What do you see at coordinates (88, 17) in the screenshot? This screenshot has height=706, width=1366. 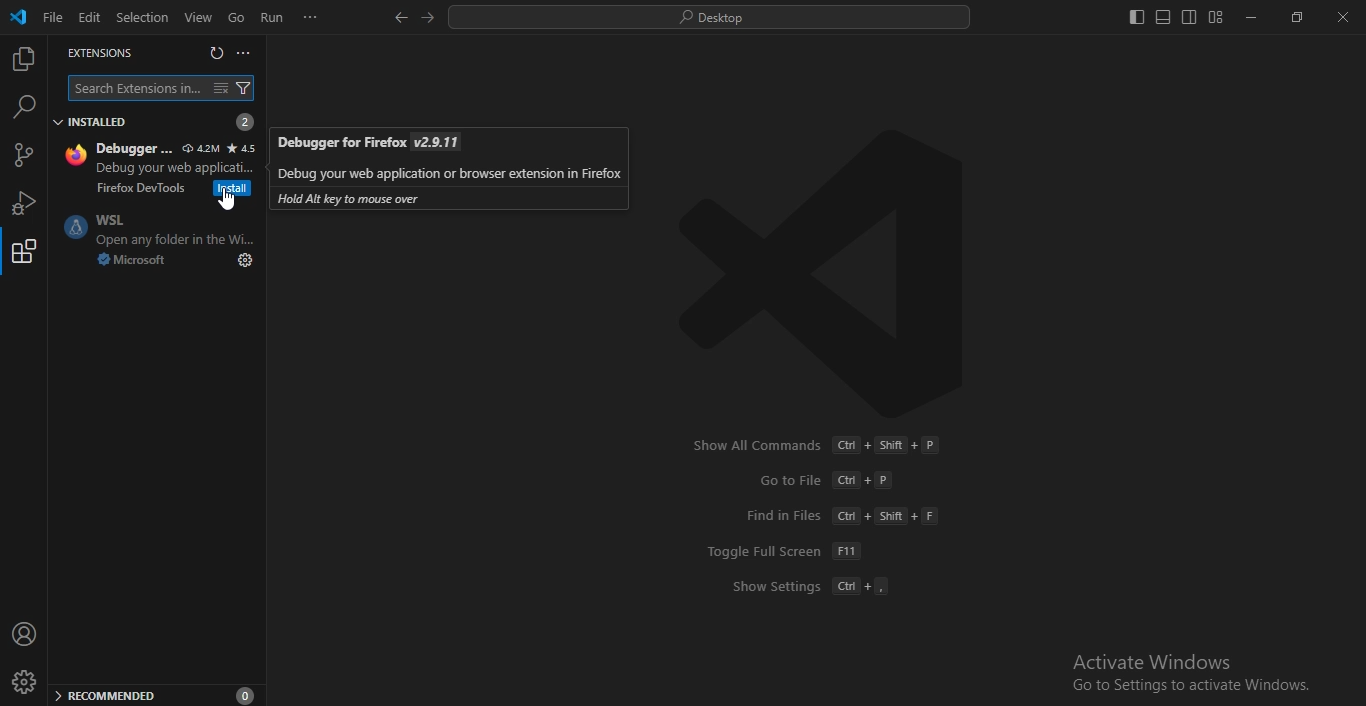 I see `edit` at bounding box center [88, 17].